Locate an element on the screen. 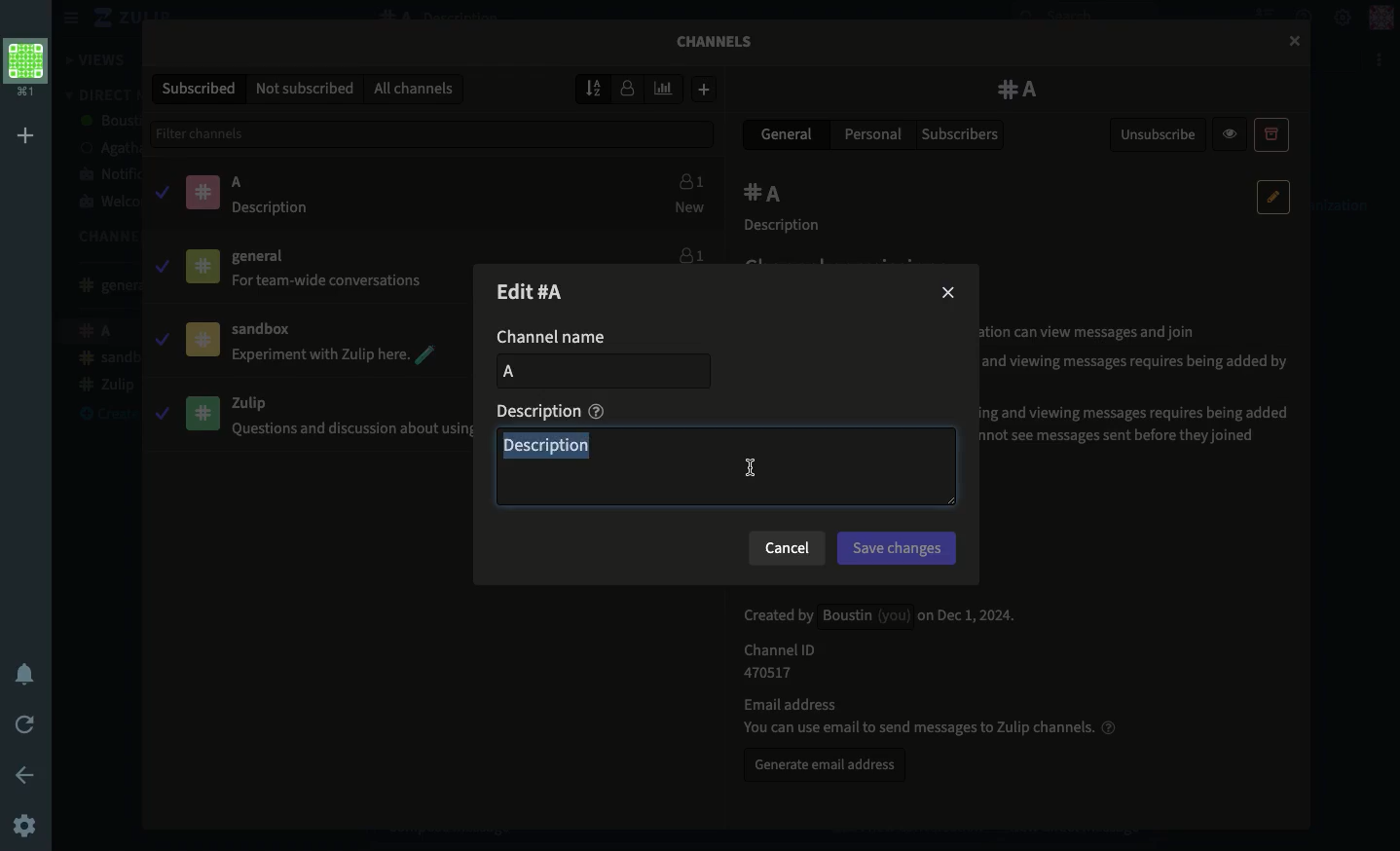 The image size is (1400, 851). Archive is located at coordinates (1271, 133).